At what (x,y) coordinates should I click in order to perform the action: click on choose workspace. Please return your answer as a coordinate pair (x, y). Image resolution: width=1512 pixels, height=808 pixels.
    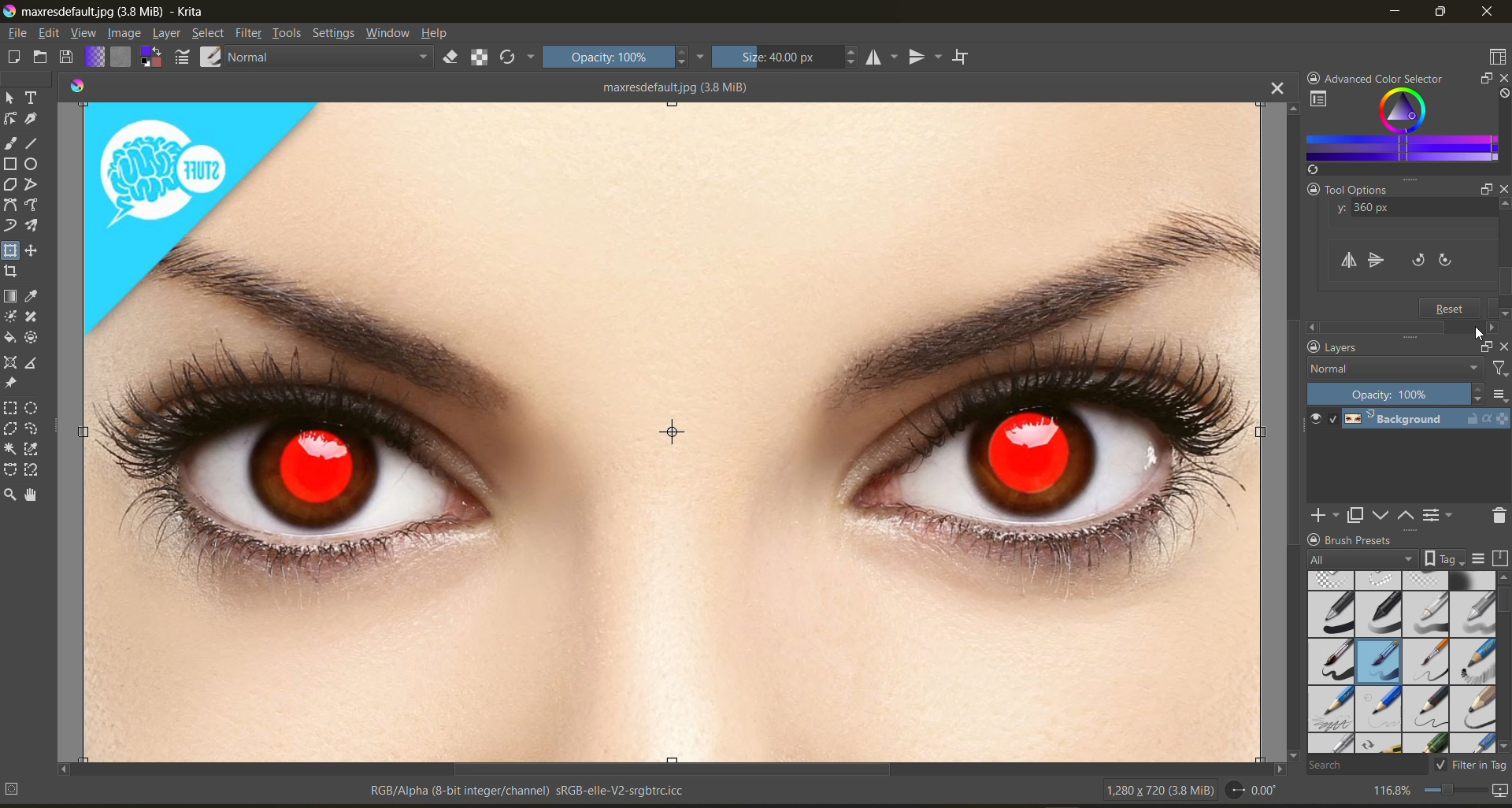
    Looking at the image, I should click on (1496, 57).